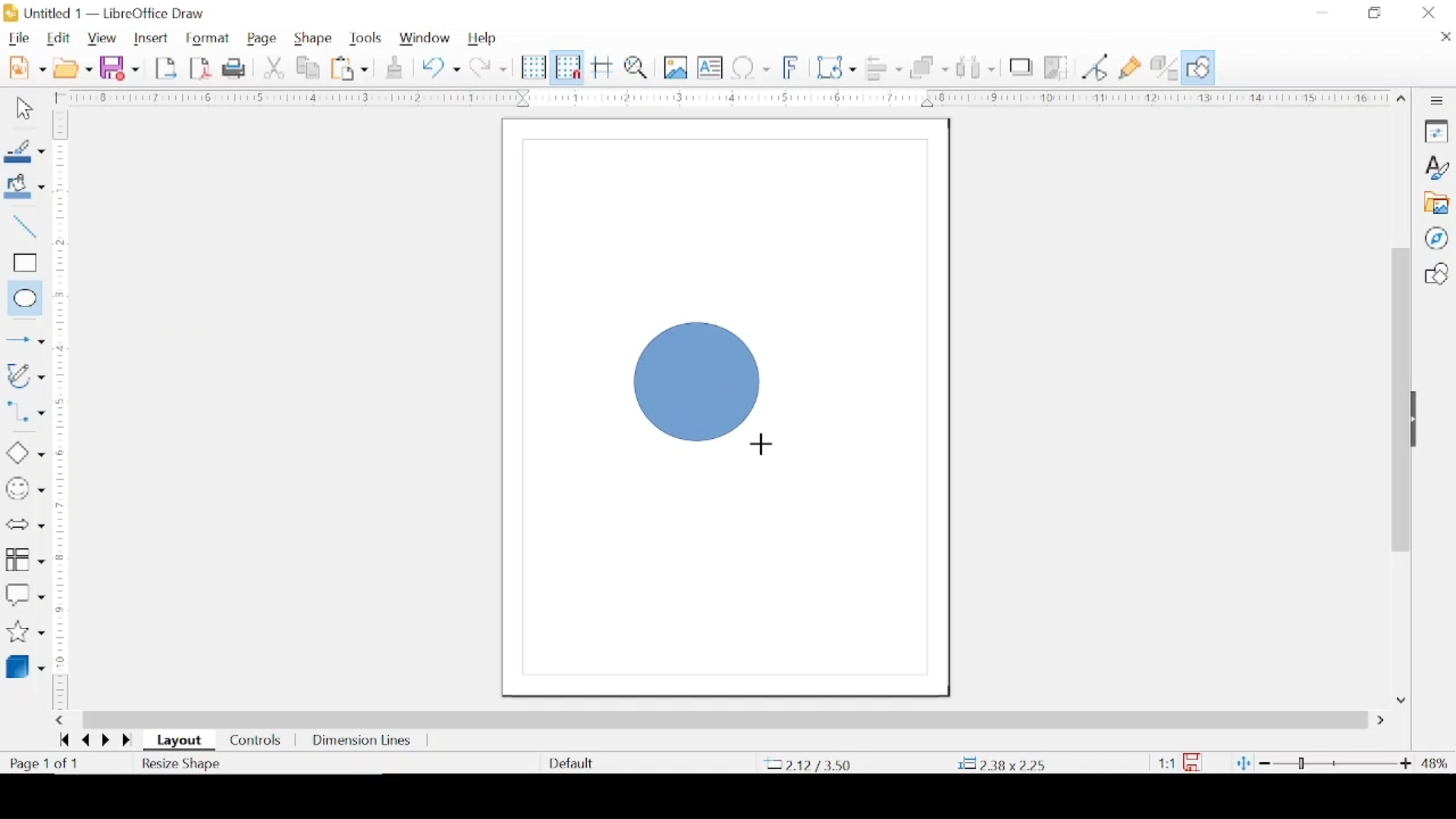  Describe the element at coordinates (108, 13) in the screenshot. I see `untitled 1 - libreoffice draw` at that location.